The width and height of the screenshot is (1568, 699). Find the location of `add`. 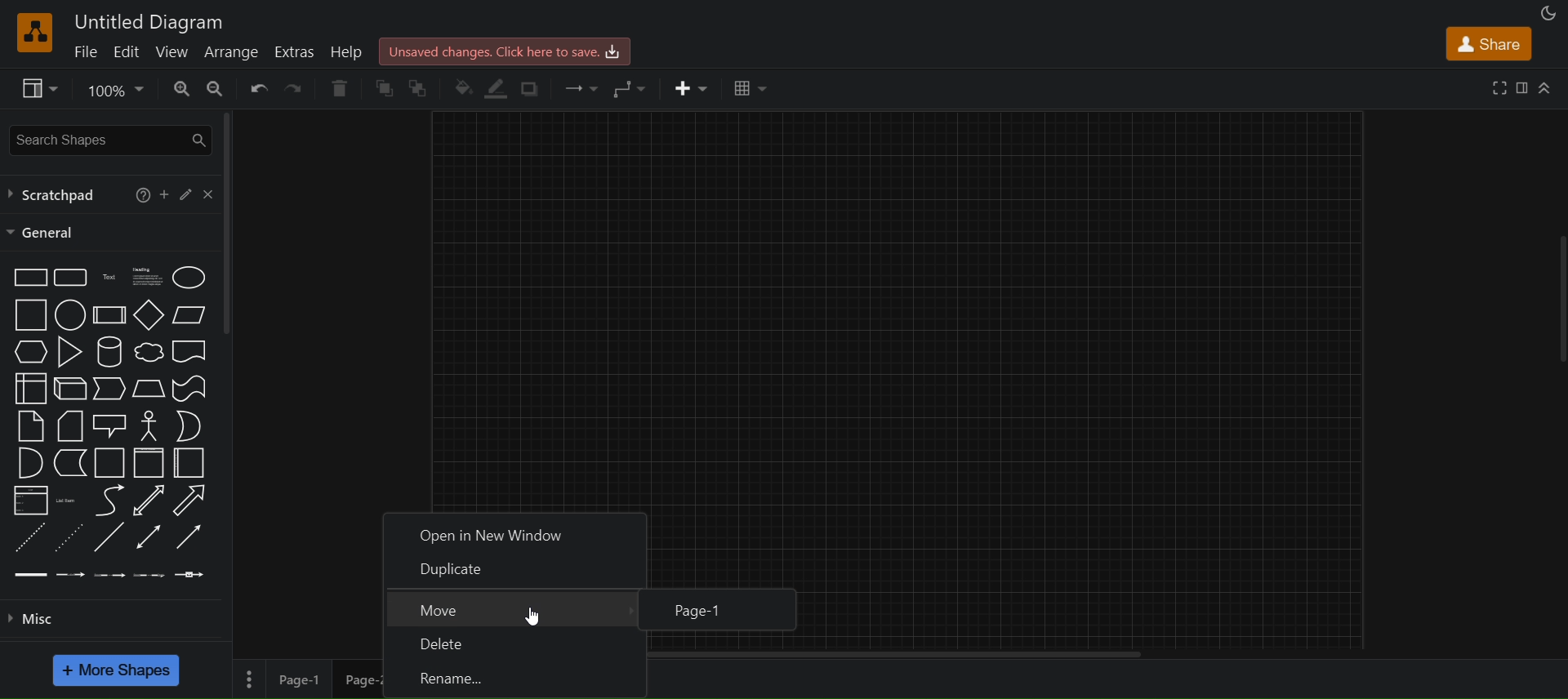

add is located at coordinates (163, 196).